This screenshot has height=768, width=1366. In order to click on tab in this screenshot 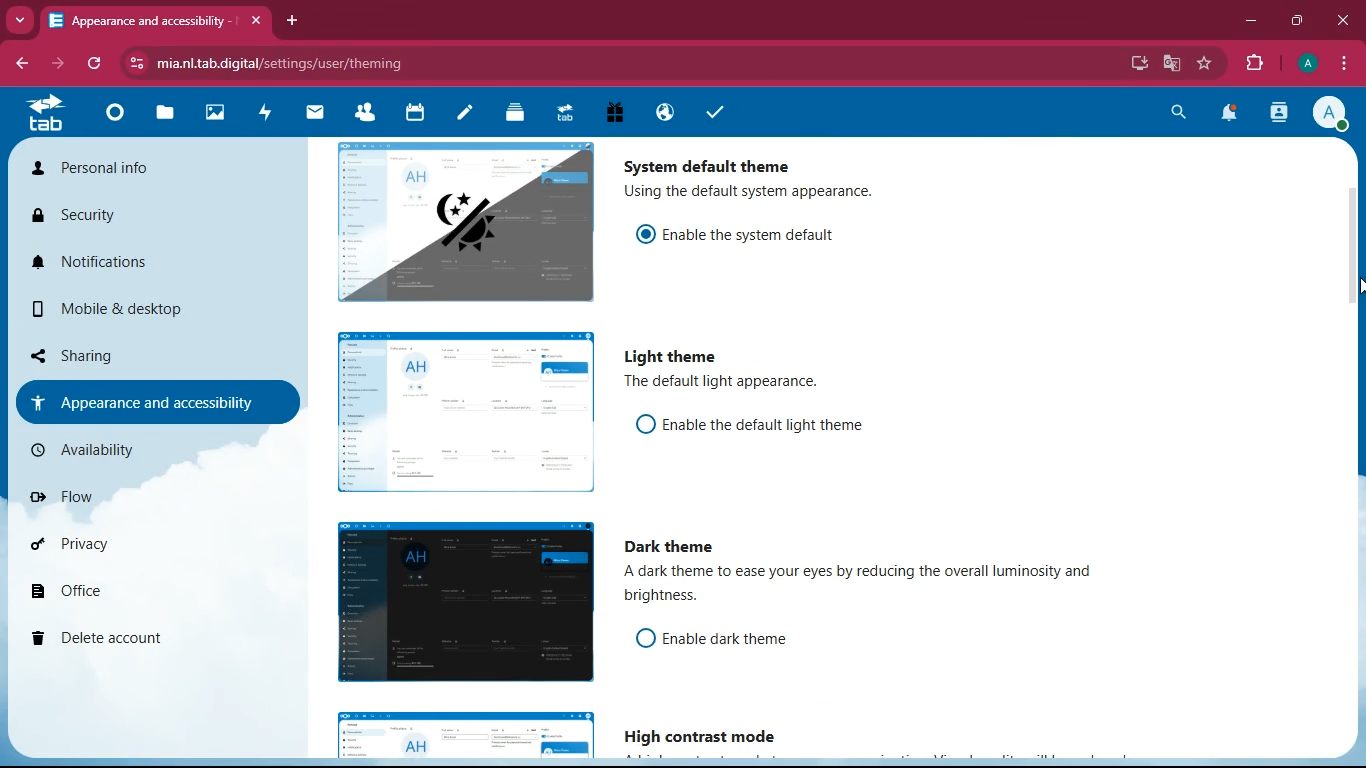, I will do `click(563, 111)`.